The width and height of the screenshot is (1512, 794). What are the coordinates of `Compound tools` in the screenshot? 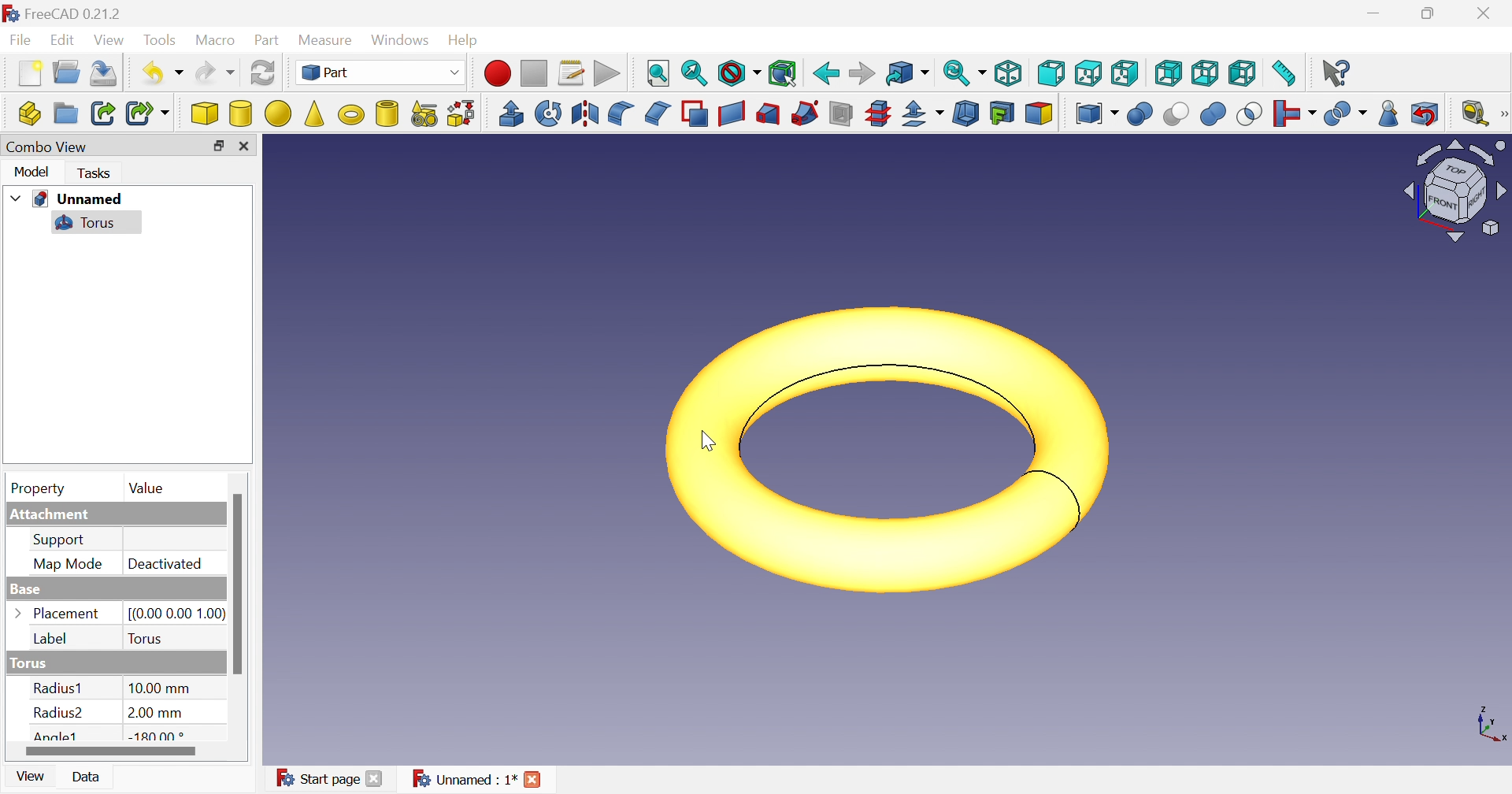 It's located at (1098, 114).